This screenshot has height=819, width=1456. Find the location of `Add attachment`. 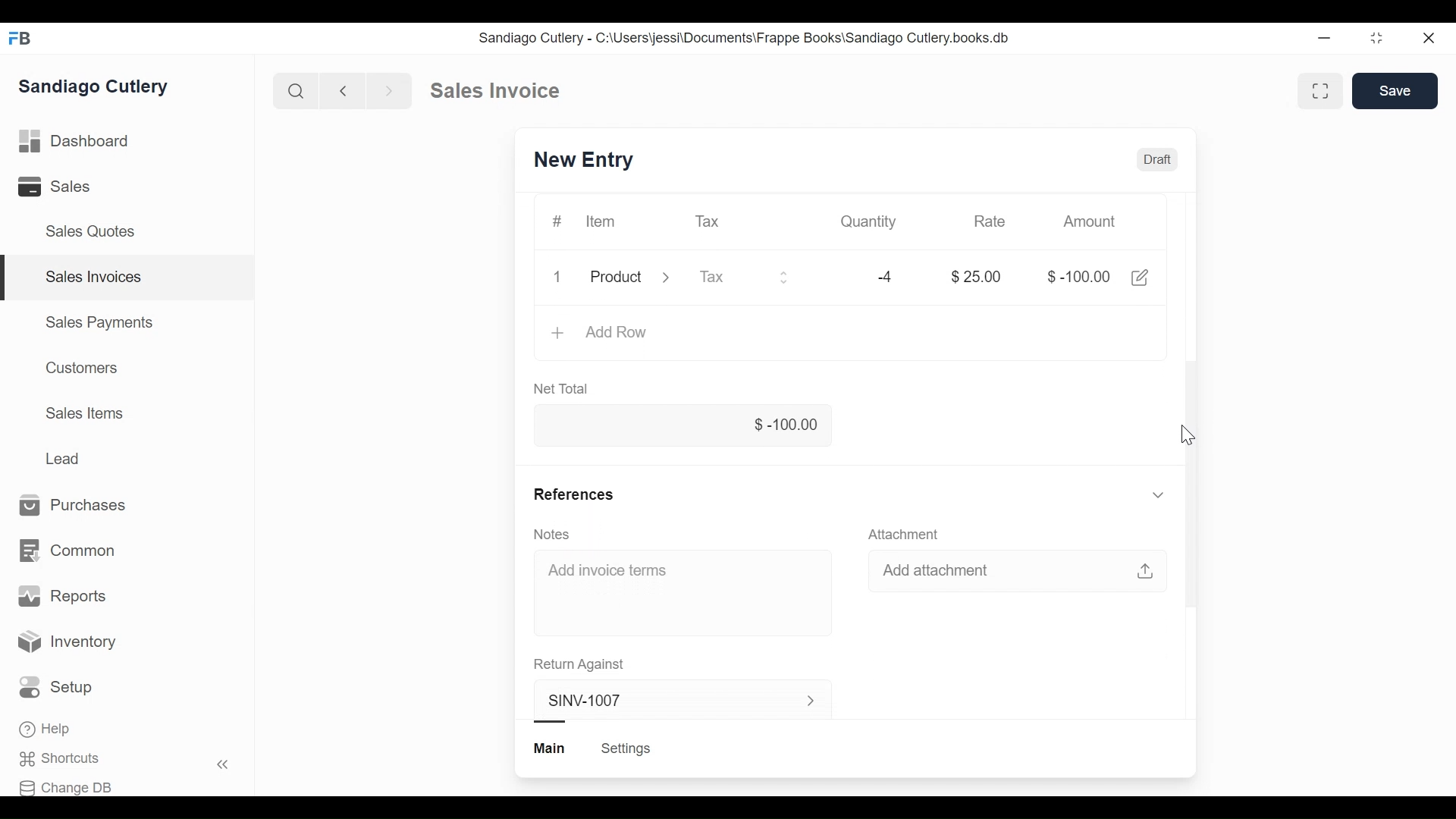

Add attachment is located at coordinates (1021, 573).